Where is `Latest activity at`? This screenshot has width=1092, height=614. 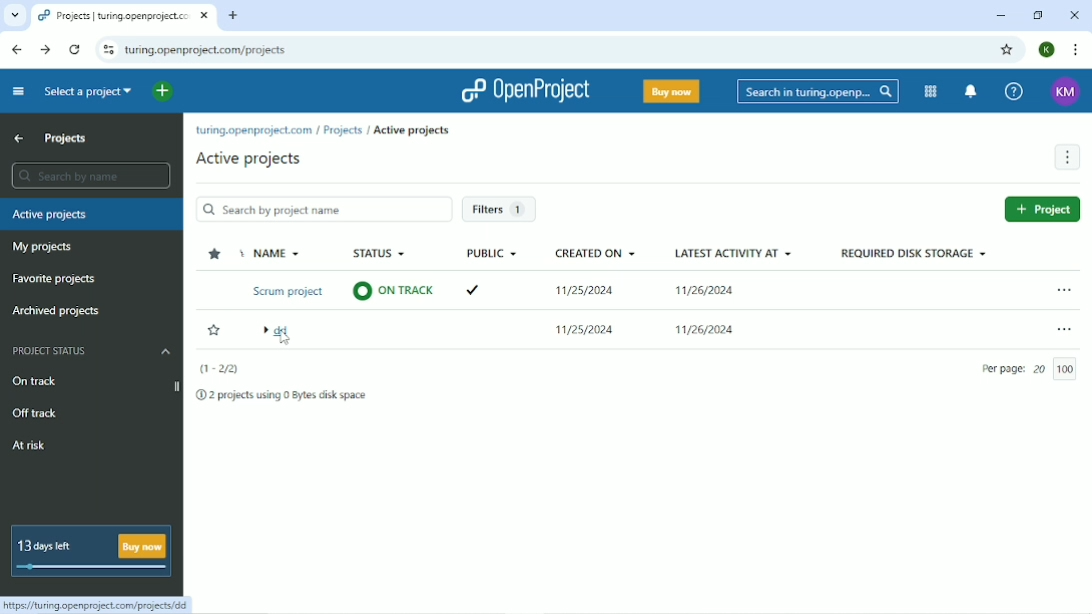
Latest activity at is located at coordinates (735, 252).